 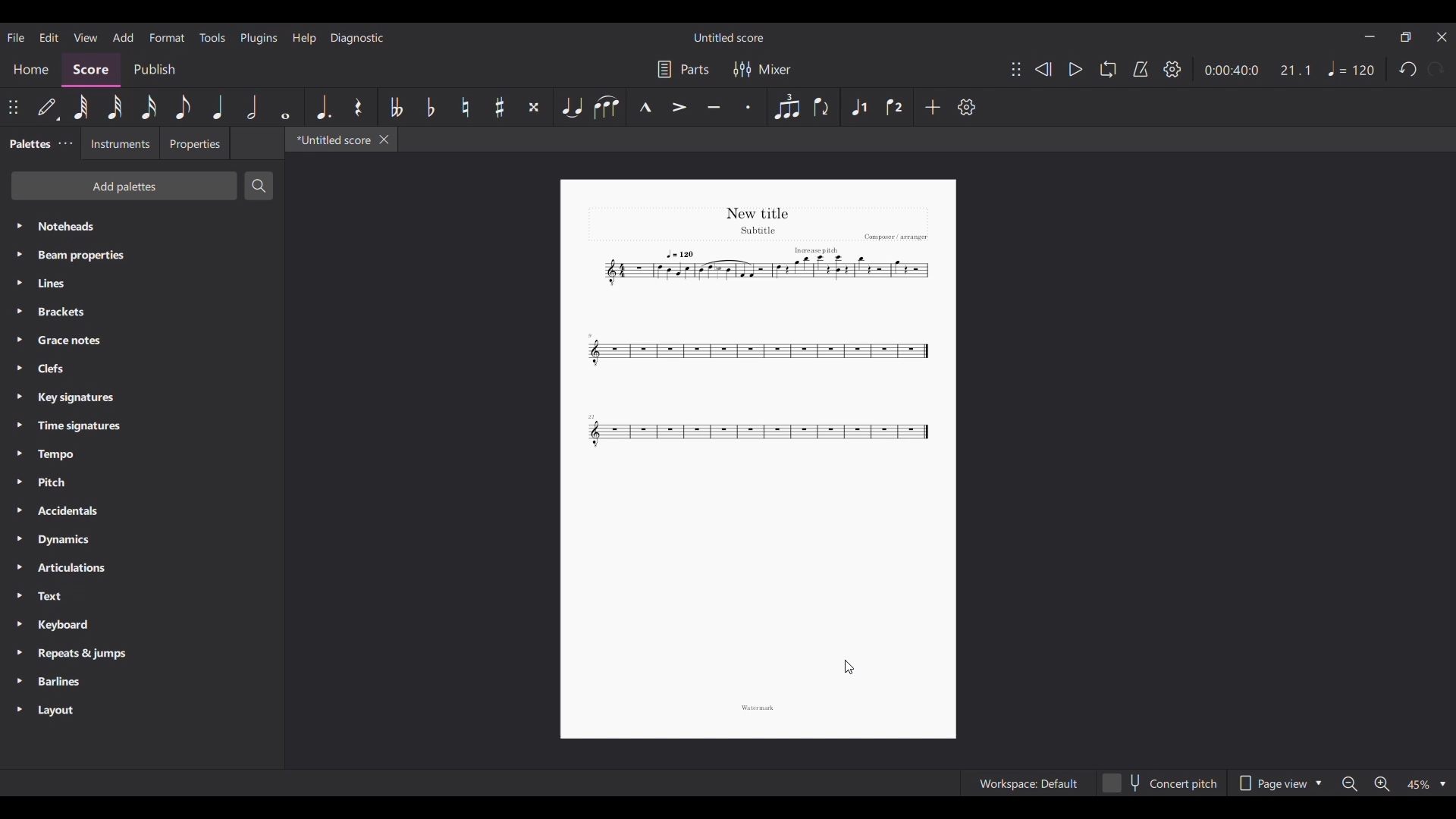 I want to click on Close interface, so click(x=1442, y=37).